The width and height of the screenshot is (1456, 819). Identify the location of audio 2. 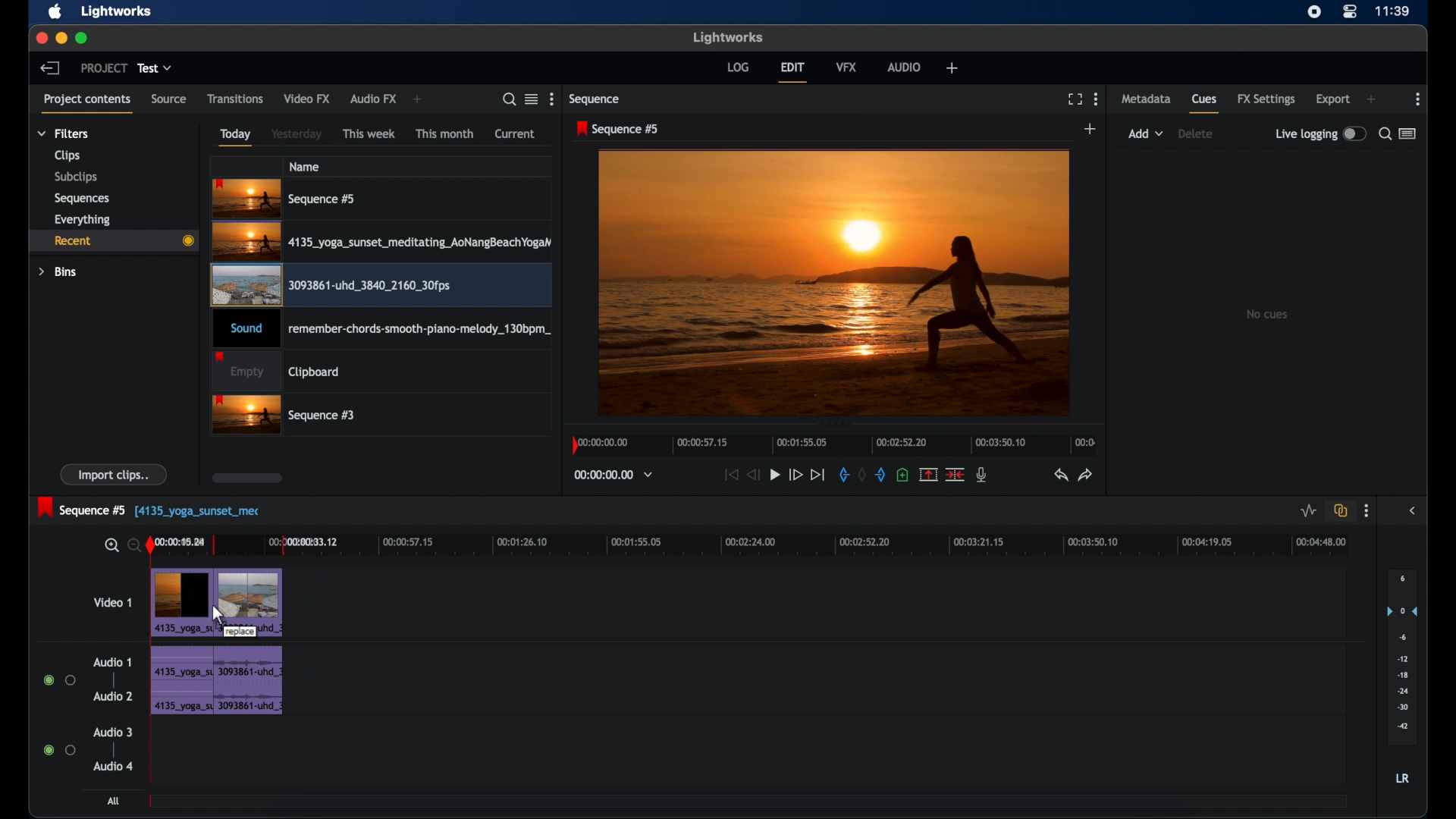
(115, 696).